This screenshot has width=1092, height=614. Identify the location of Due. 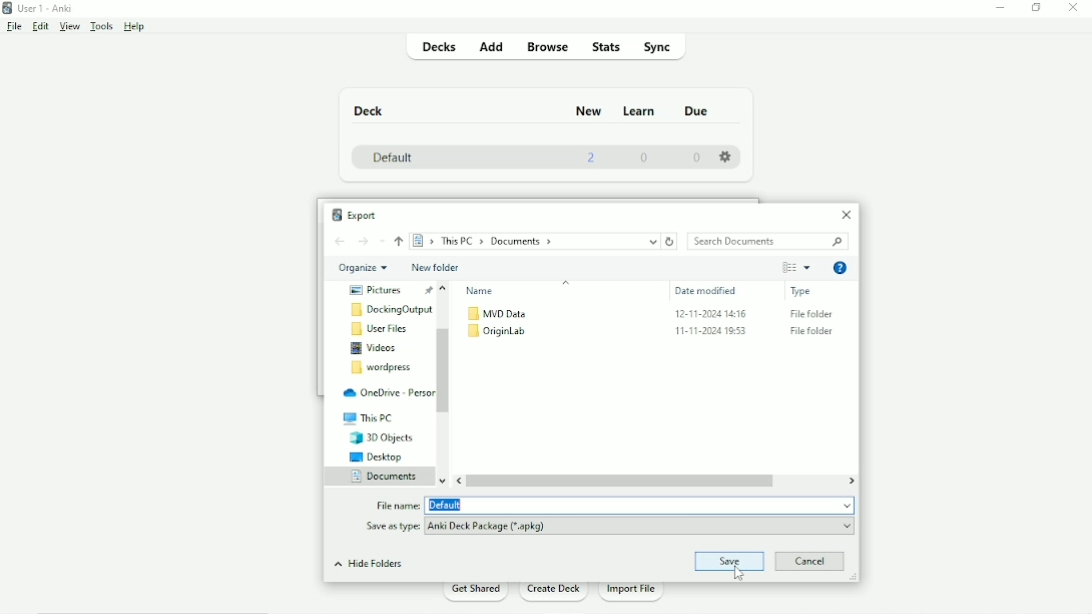
(700, 110).